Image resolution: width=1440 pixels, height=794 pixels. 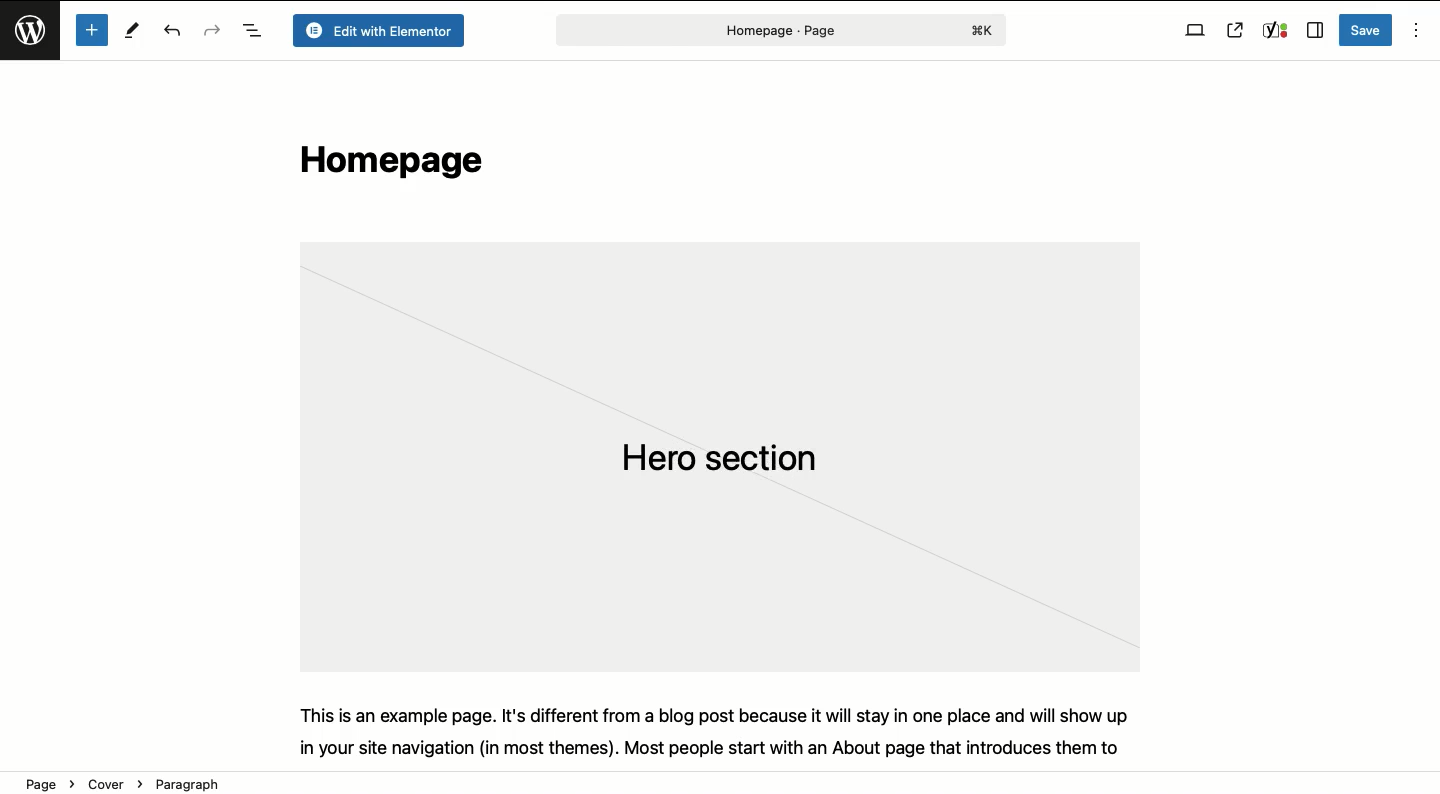 What do you see at coordinates (1367, 30) in the screenshot?
I see `Save` at bounding box center [1367, 30].